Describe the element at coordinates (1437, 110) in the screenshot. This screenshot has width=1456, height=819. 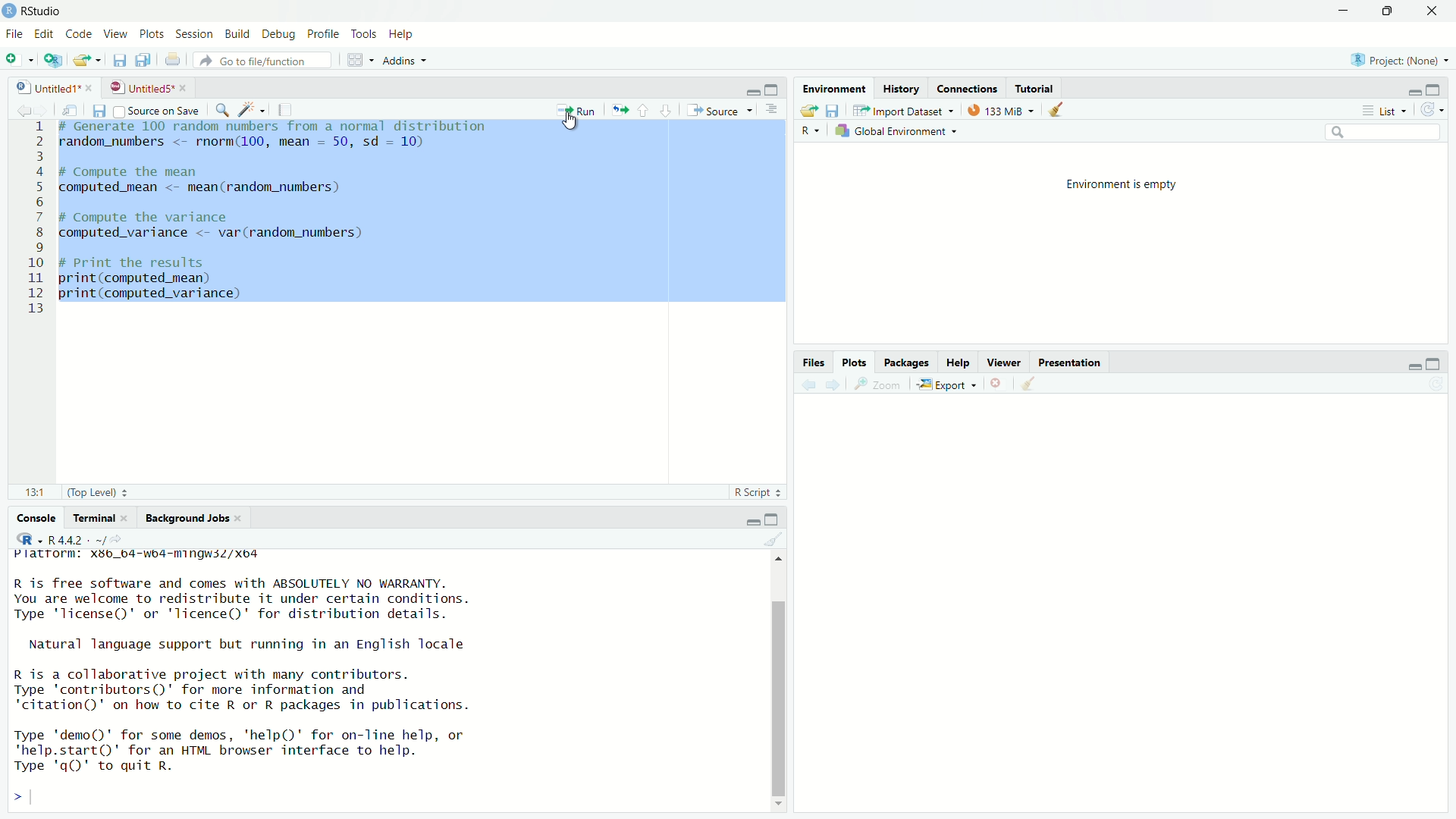
I see `refresh the list of objects in the environment` at that location.